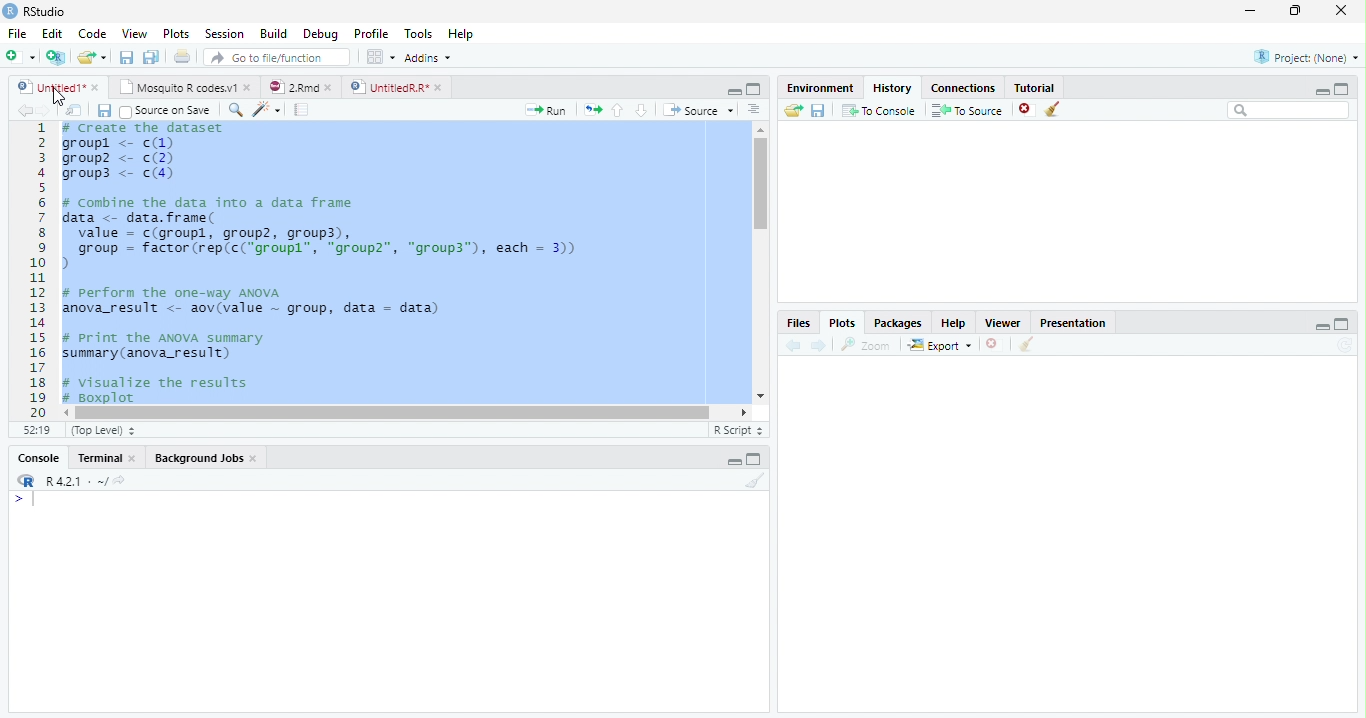 The image size is (1366, 718). I want to click on Save, so click(128, 58).